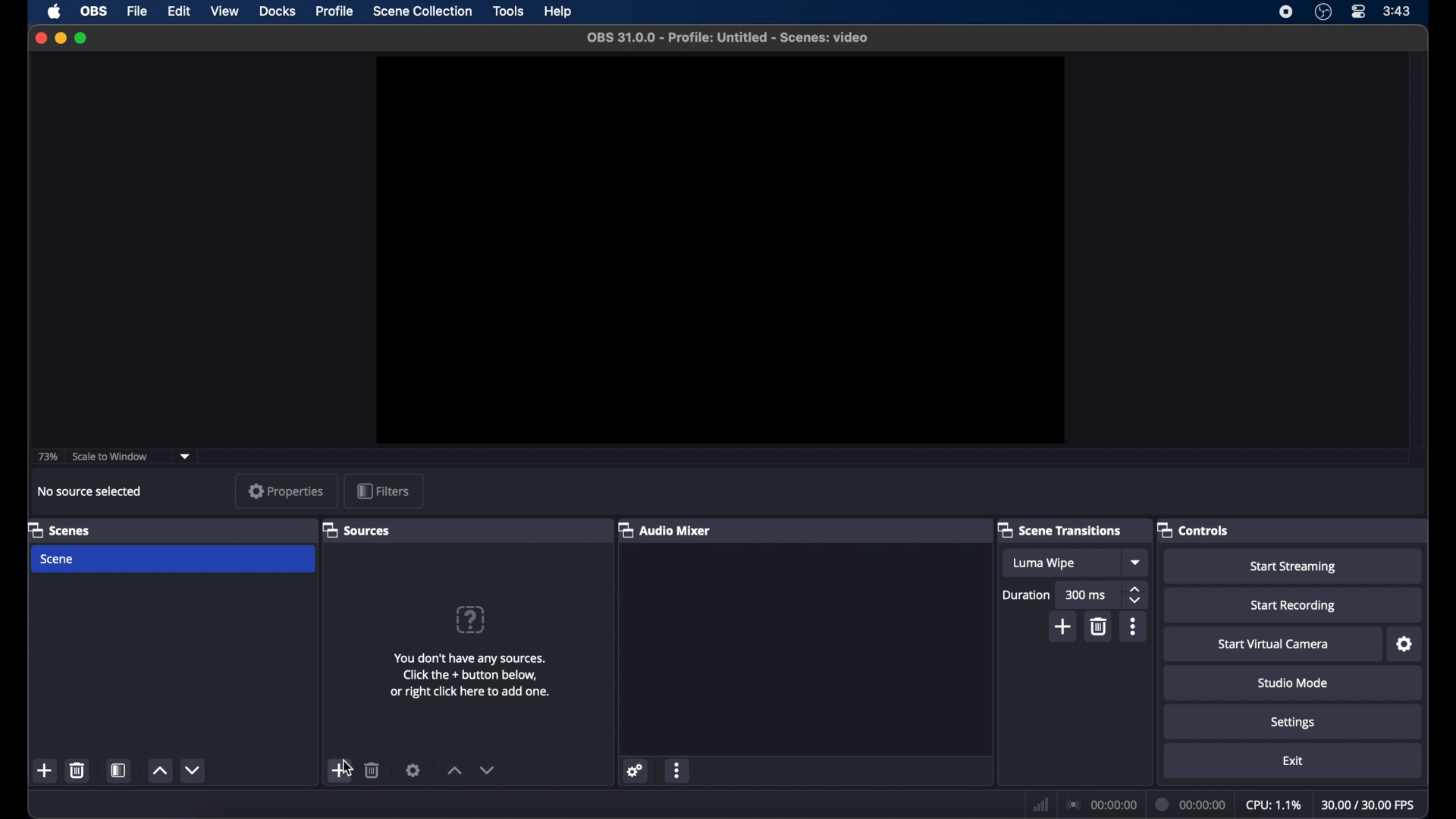 The height and width of the screenshot is (819, 1456). Describe the element at coordinates (1137, 562) in the screenshot. I see `dropdown` at that location.